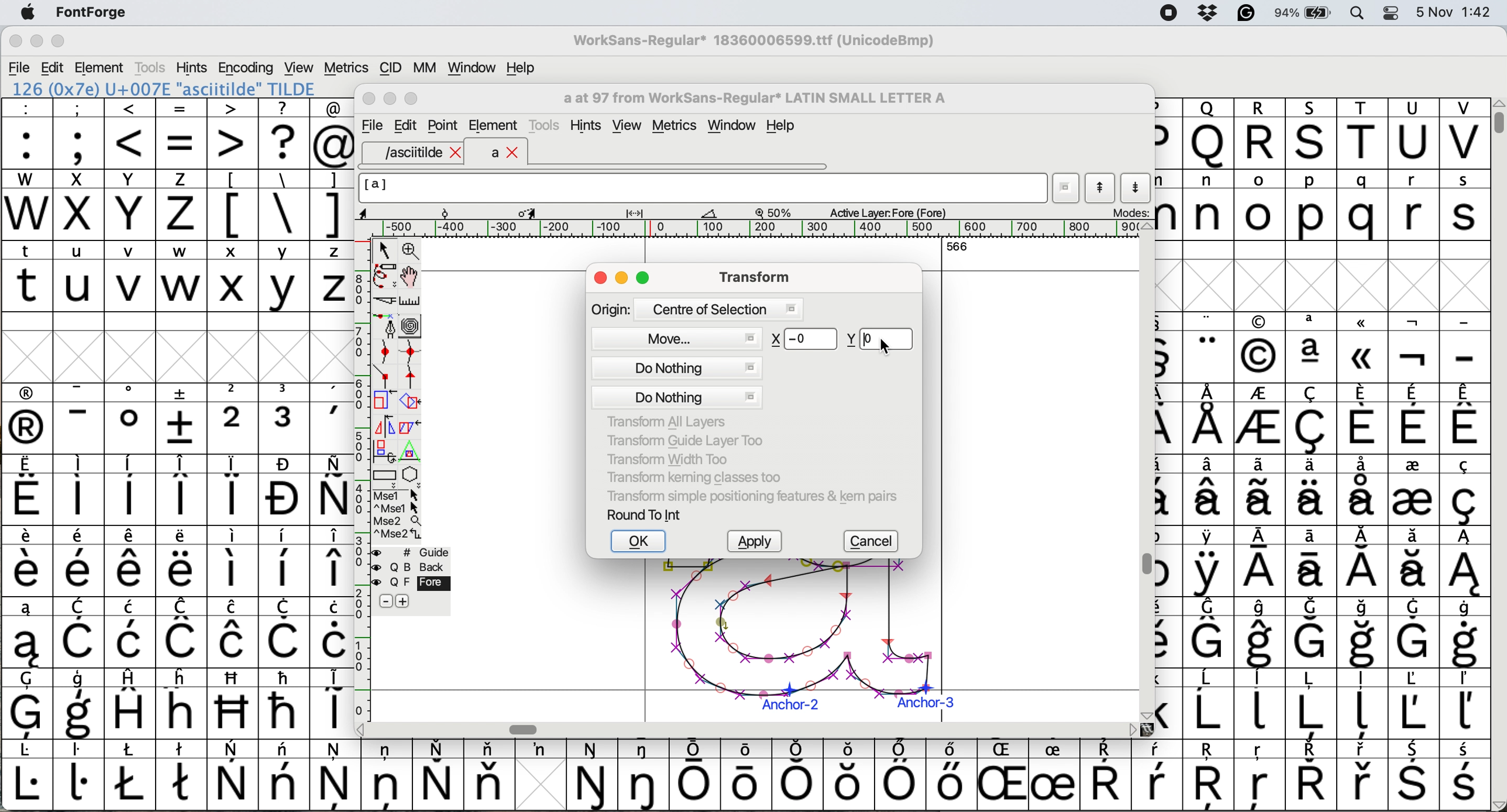  I want to click on symbol, so click(82, 634).